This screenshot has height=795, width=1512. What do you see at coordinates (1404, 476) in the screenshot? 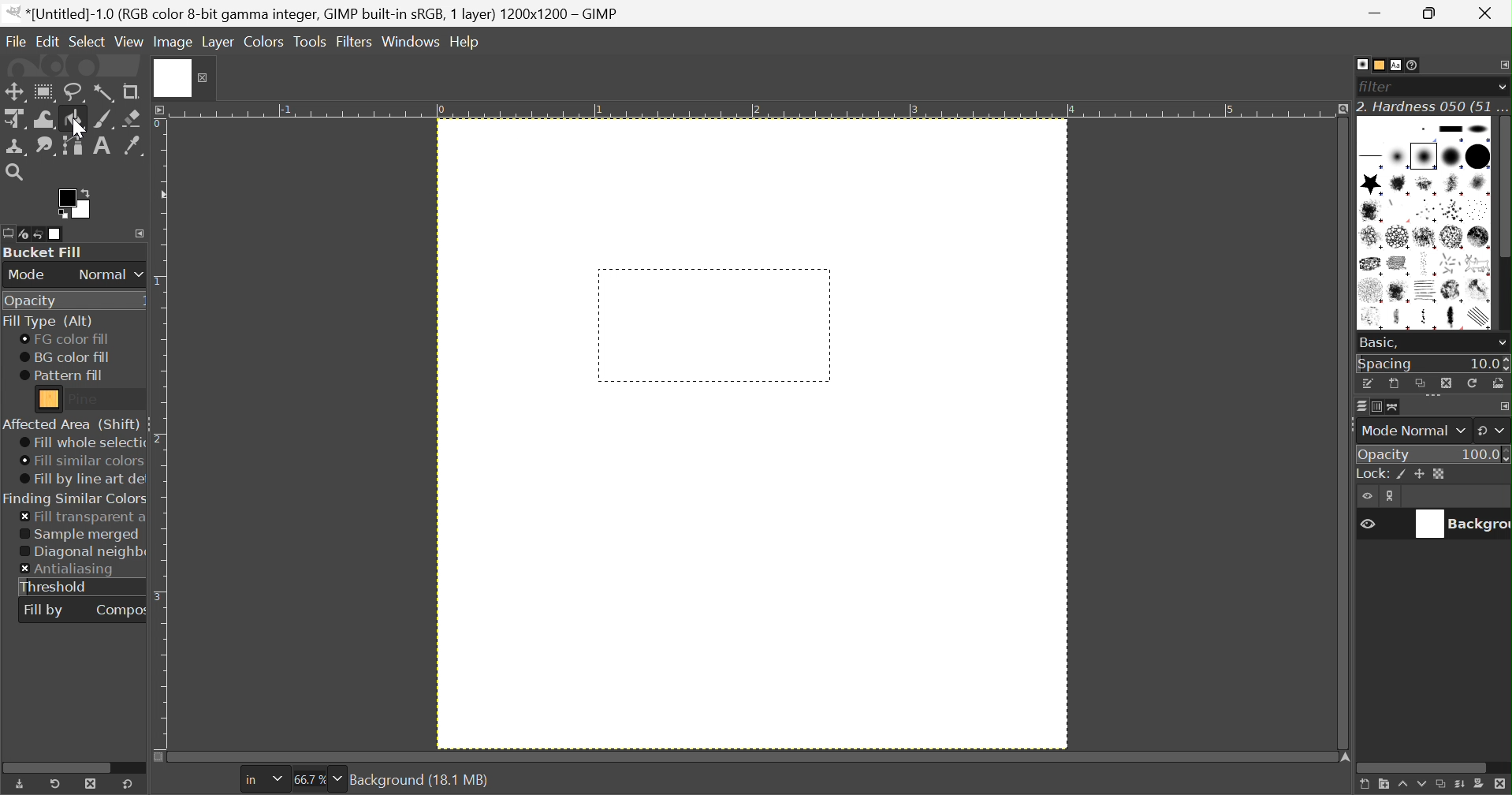
I see `Lock pixels` at bounding box center [1404, 476].